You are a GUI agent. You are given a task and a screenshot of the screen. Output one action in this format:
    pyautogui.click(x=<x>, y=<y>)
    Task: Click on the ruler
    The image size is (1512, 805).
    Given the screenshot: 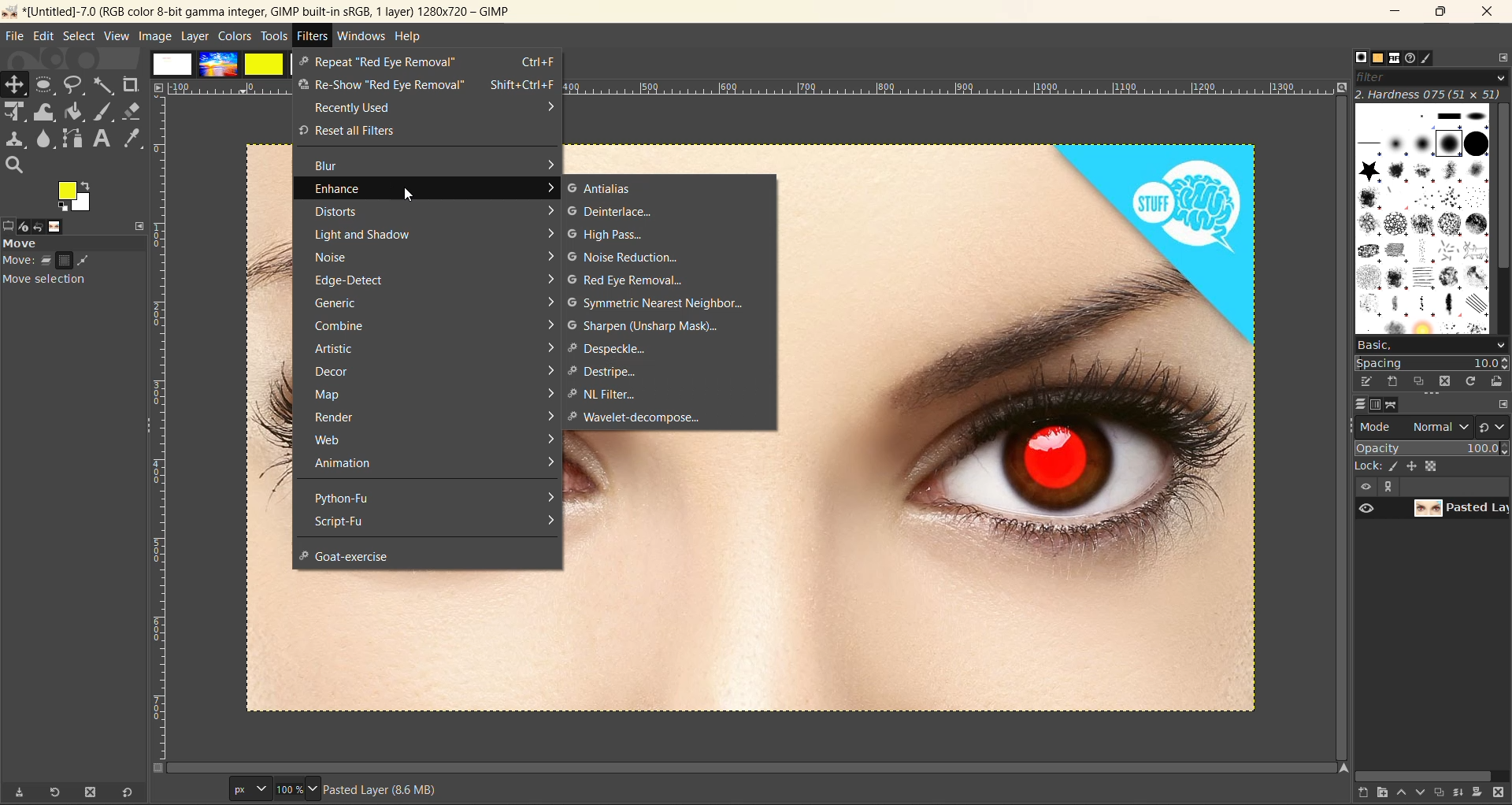 What is the action you would take?
    pyautogui.click(x=163, y=427)
    